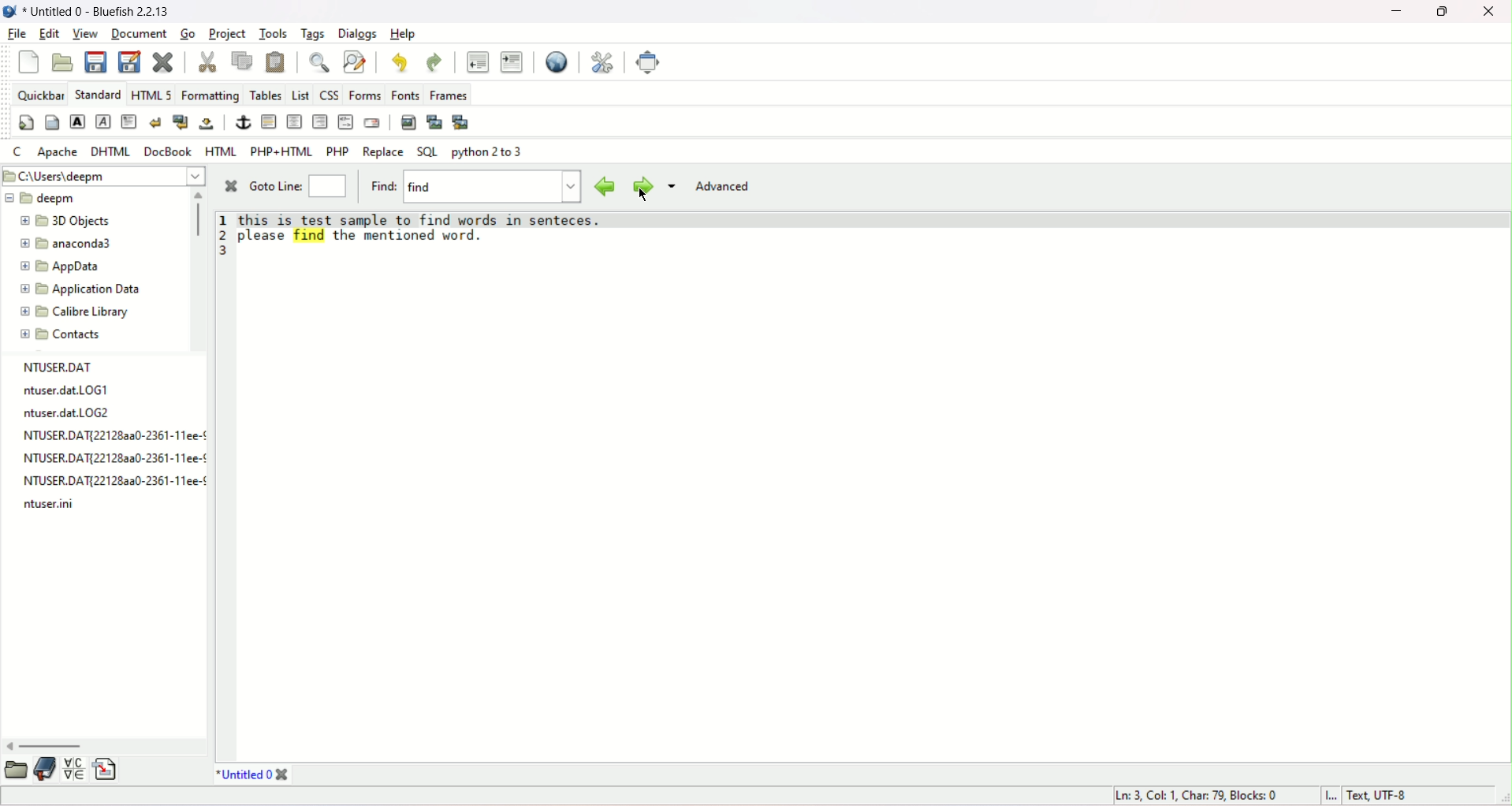 The image size is (1512, 806). Describe the element at coordinates (358, 32) in the screenshot. I see `dialogs` at that location.